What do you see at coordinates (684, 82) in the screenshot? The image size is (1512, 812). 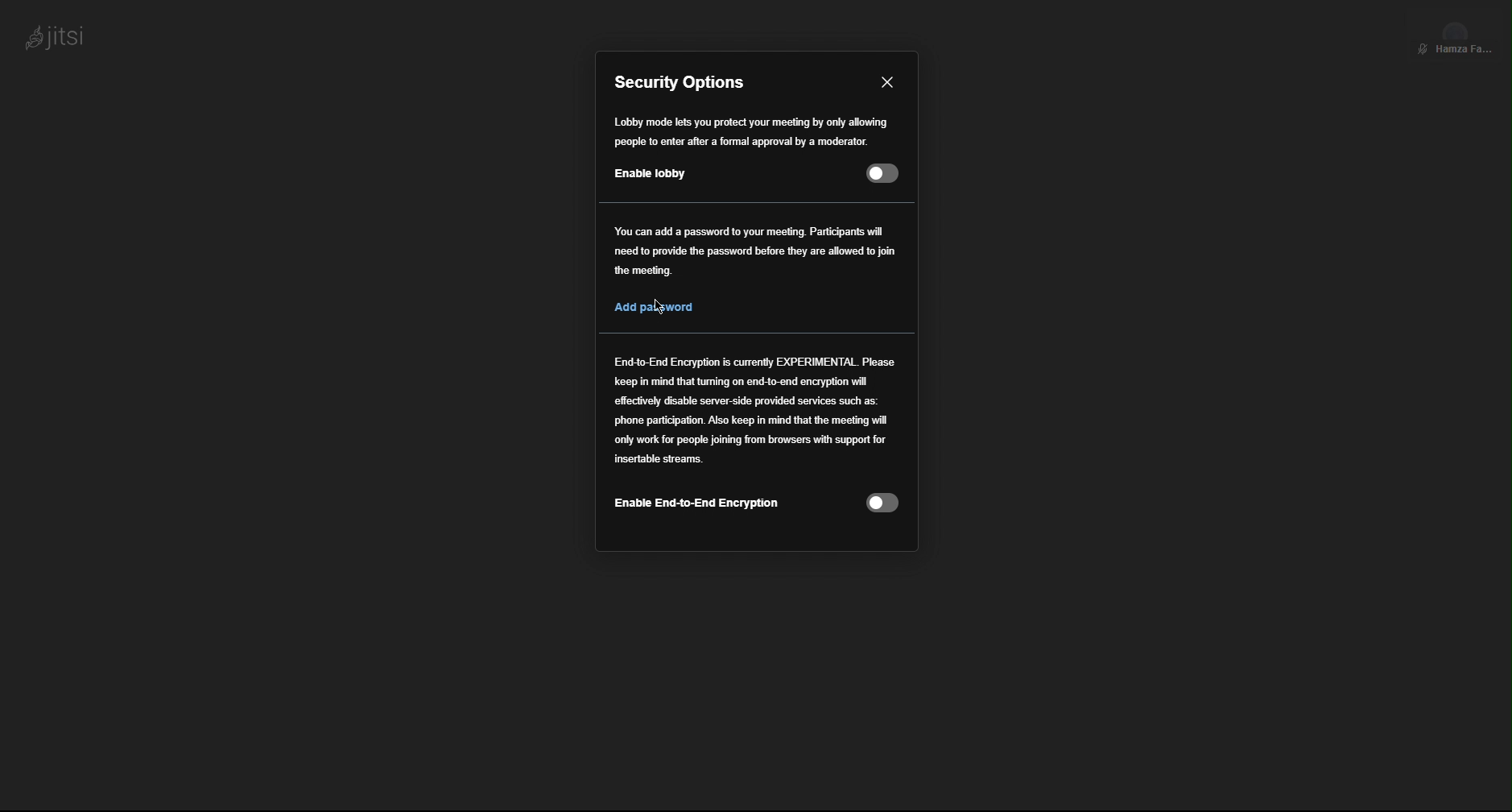 I see `Security Options` at bounding box center [684, 82].